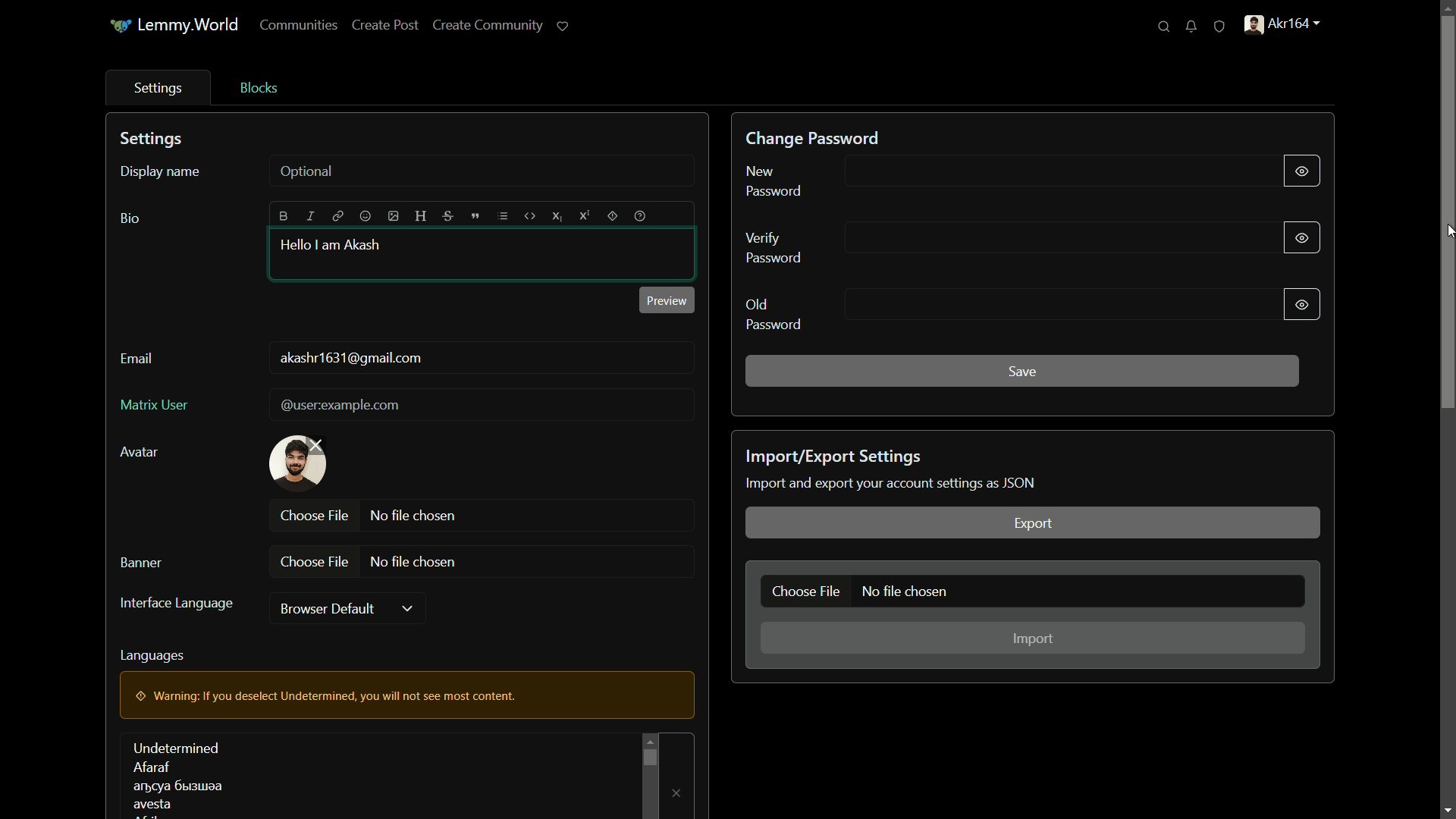 This screenshot has height=819, width=1456. Describe the element at coordinates (325, 608) in the screenshot. I see `browser default` at that location.